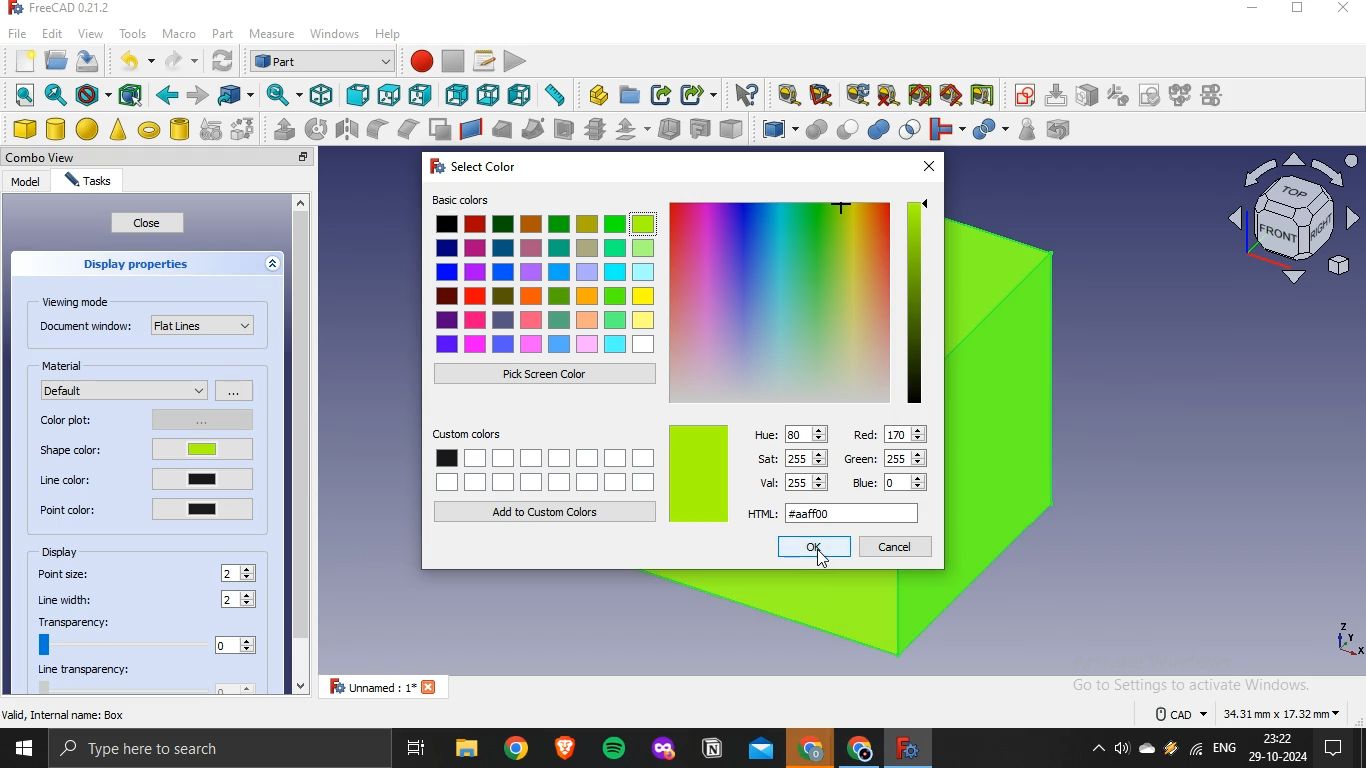 Image resolution: width=1366 pixels, height=768 pixels. I want to click on front, so click(357, 95).